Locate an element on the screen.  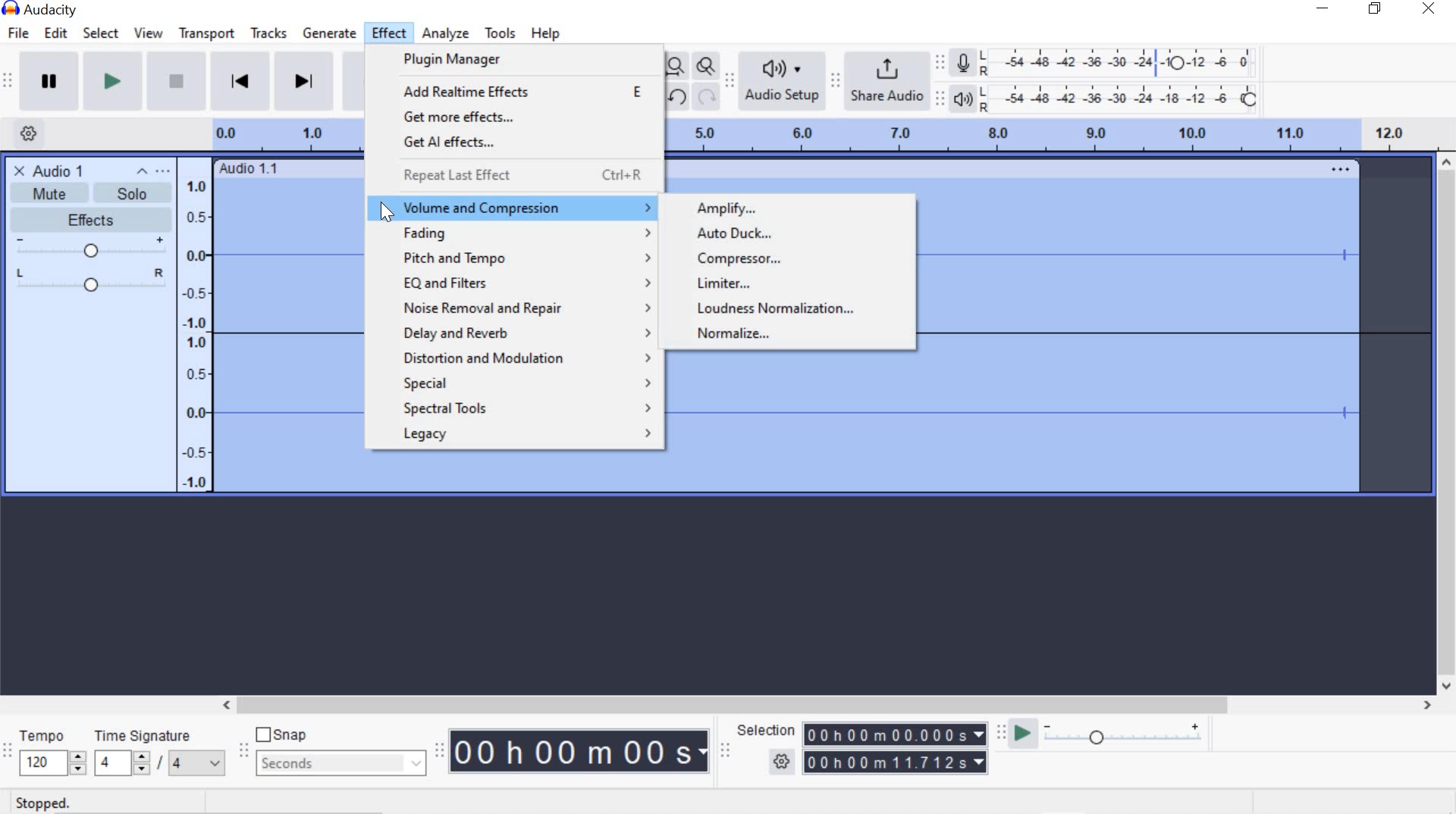
collapse is located at coordinates (143, 172).